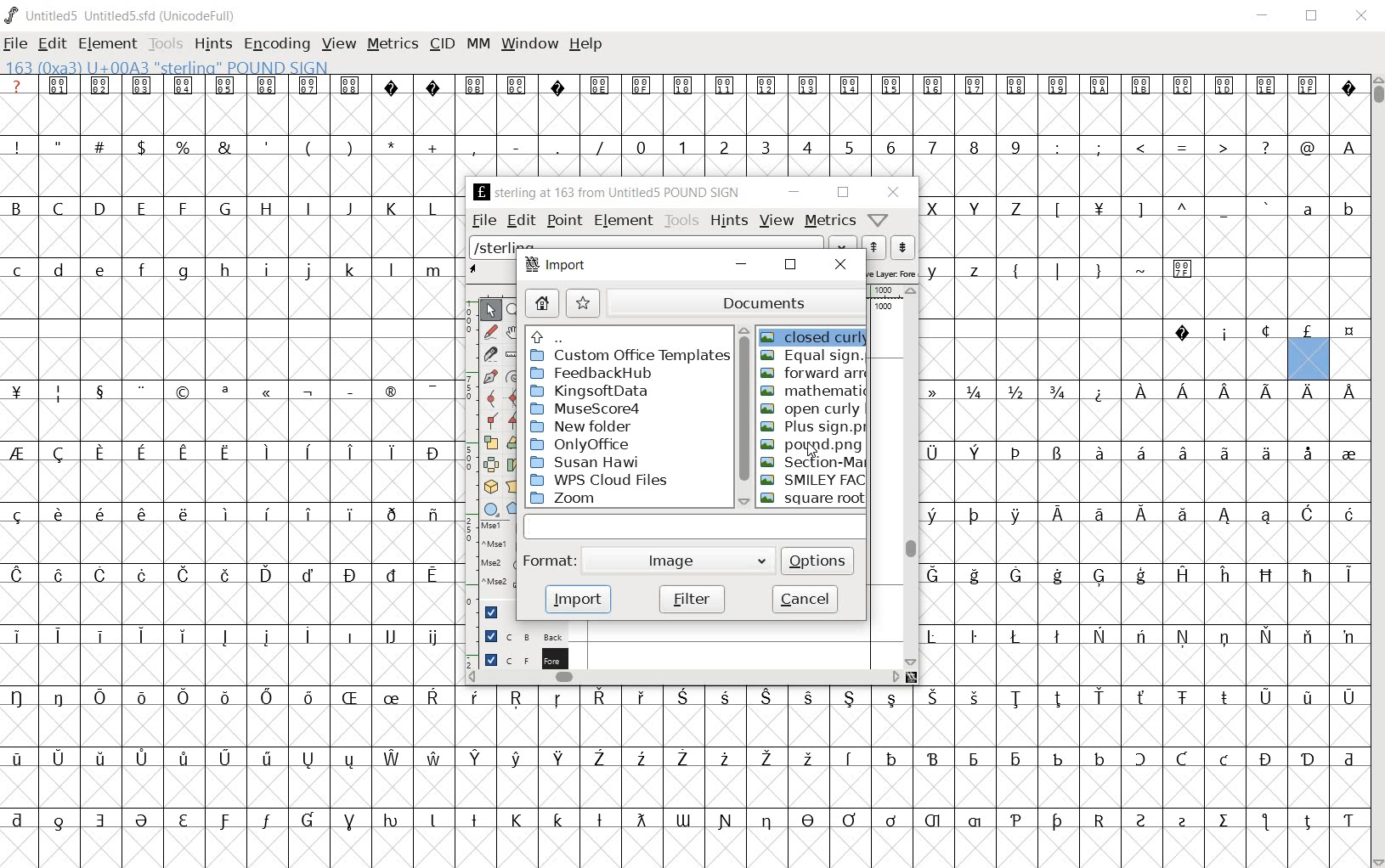  I want to click on Symbol, so click(810, 87).